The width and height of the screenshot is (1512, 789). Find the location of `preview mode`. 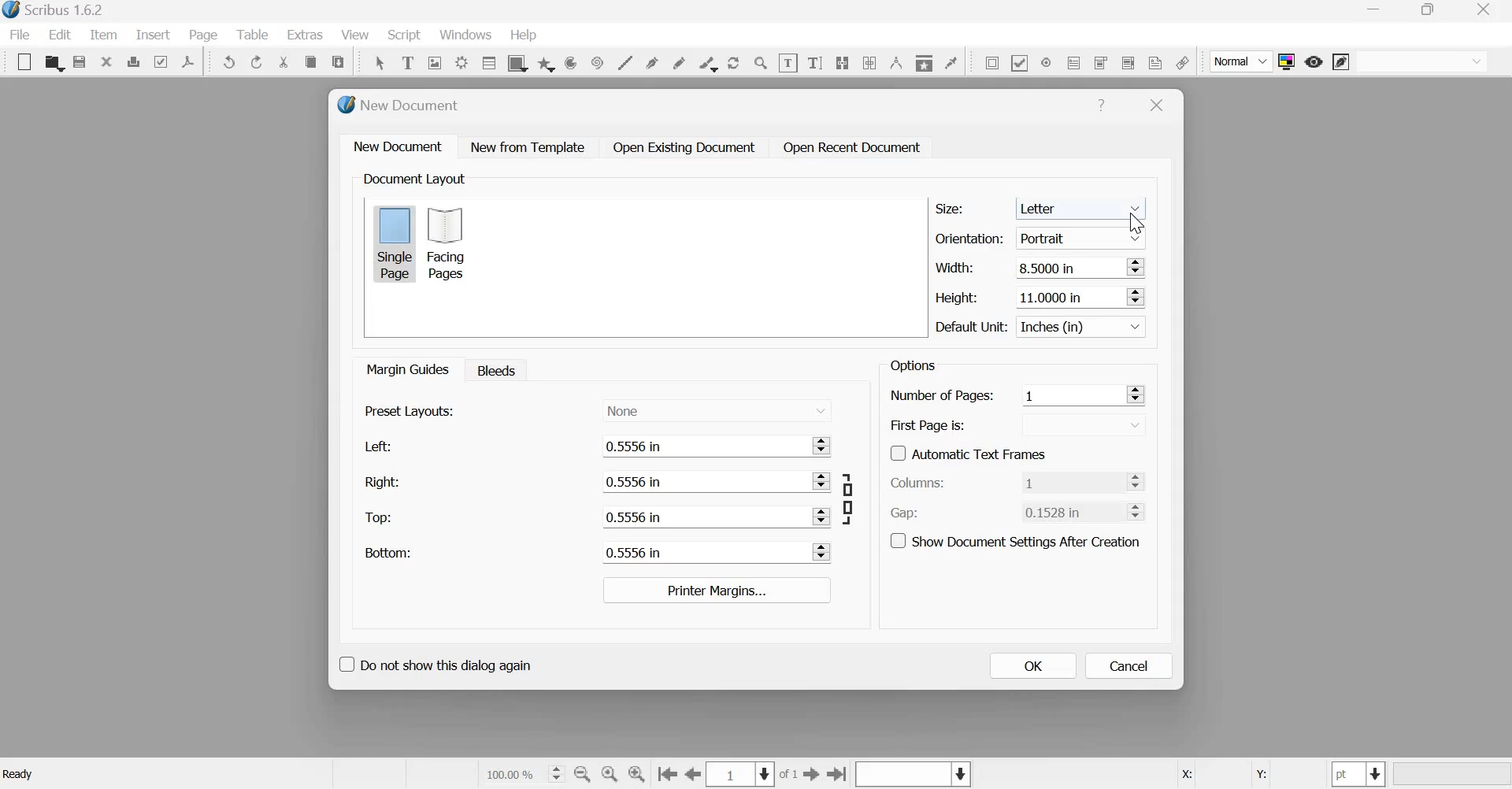

preview mode is located at coordinates (1314, 61).